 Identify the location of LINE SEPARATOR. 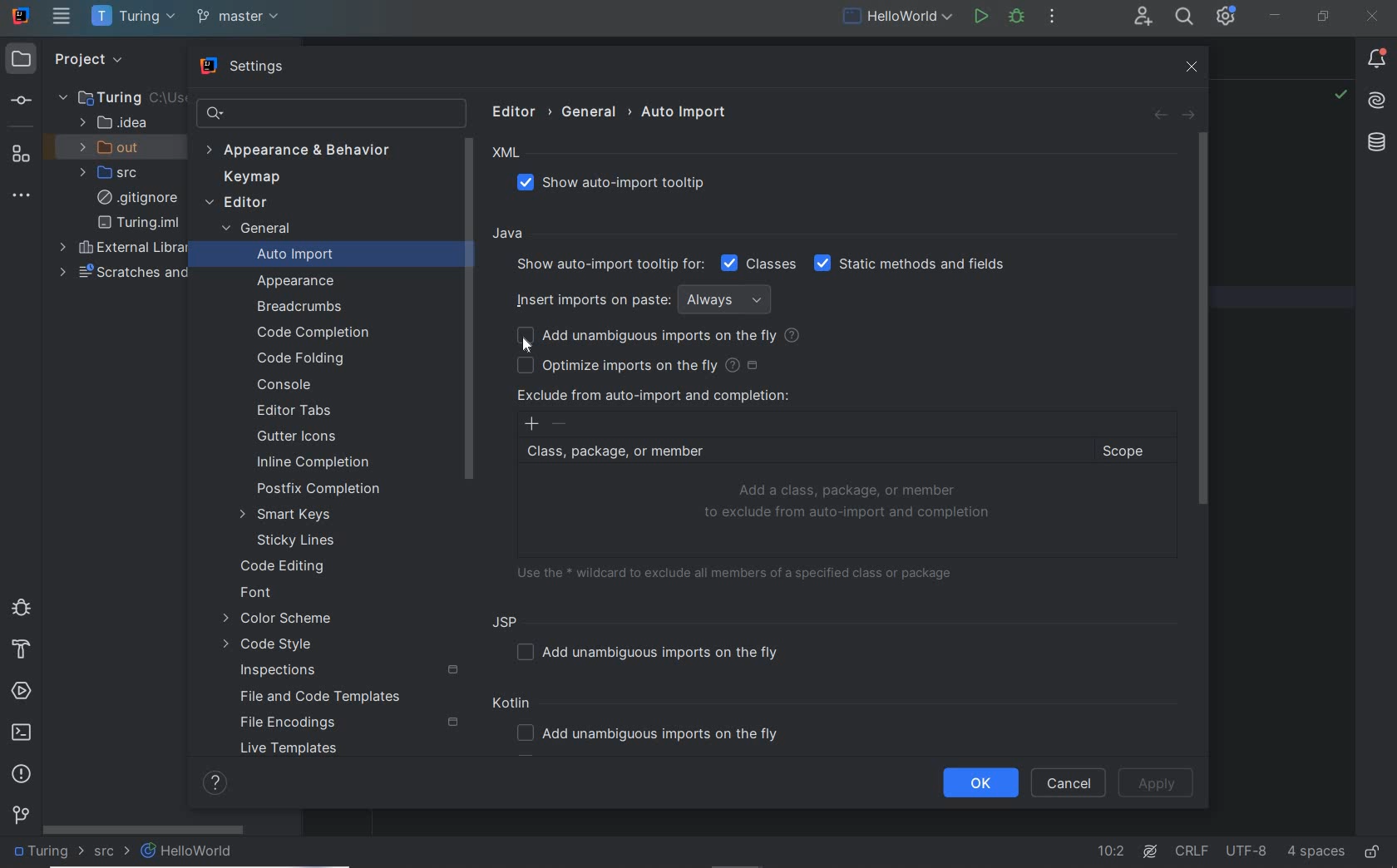
(1192, 848).